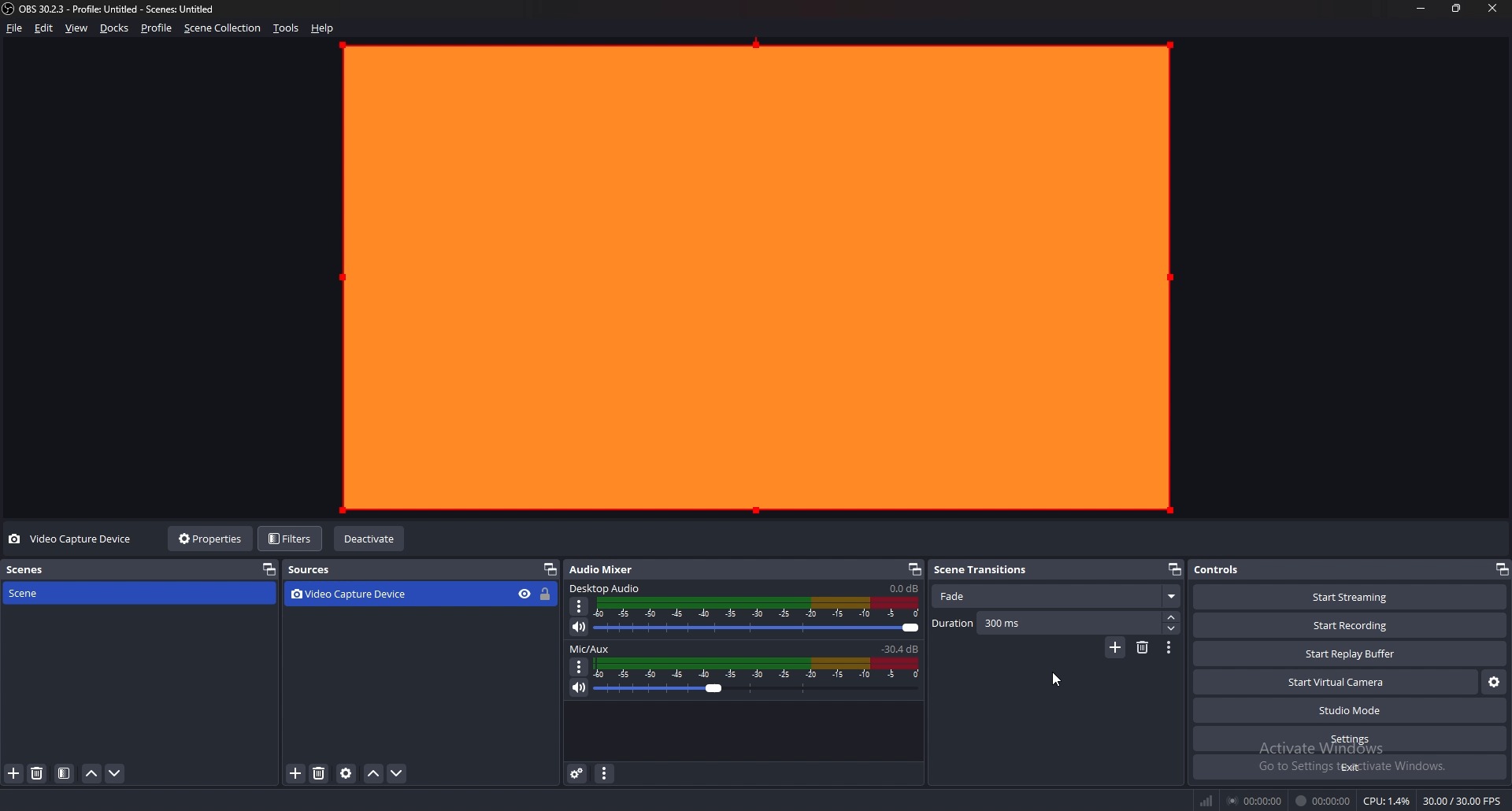 Image resolution: width=1512 pixels, height=811 pixels. What do you see at coordinates (1421, 9) in the screenshot?
I see `minimize` at bounding box center [1421, 9].